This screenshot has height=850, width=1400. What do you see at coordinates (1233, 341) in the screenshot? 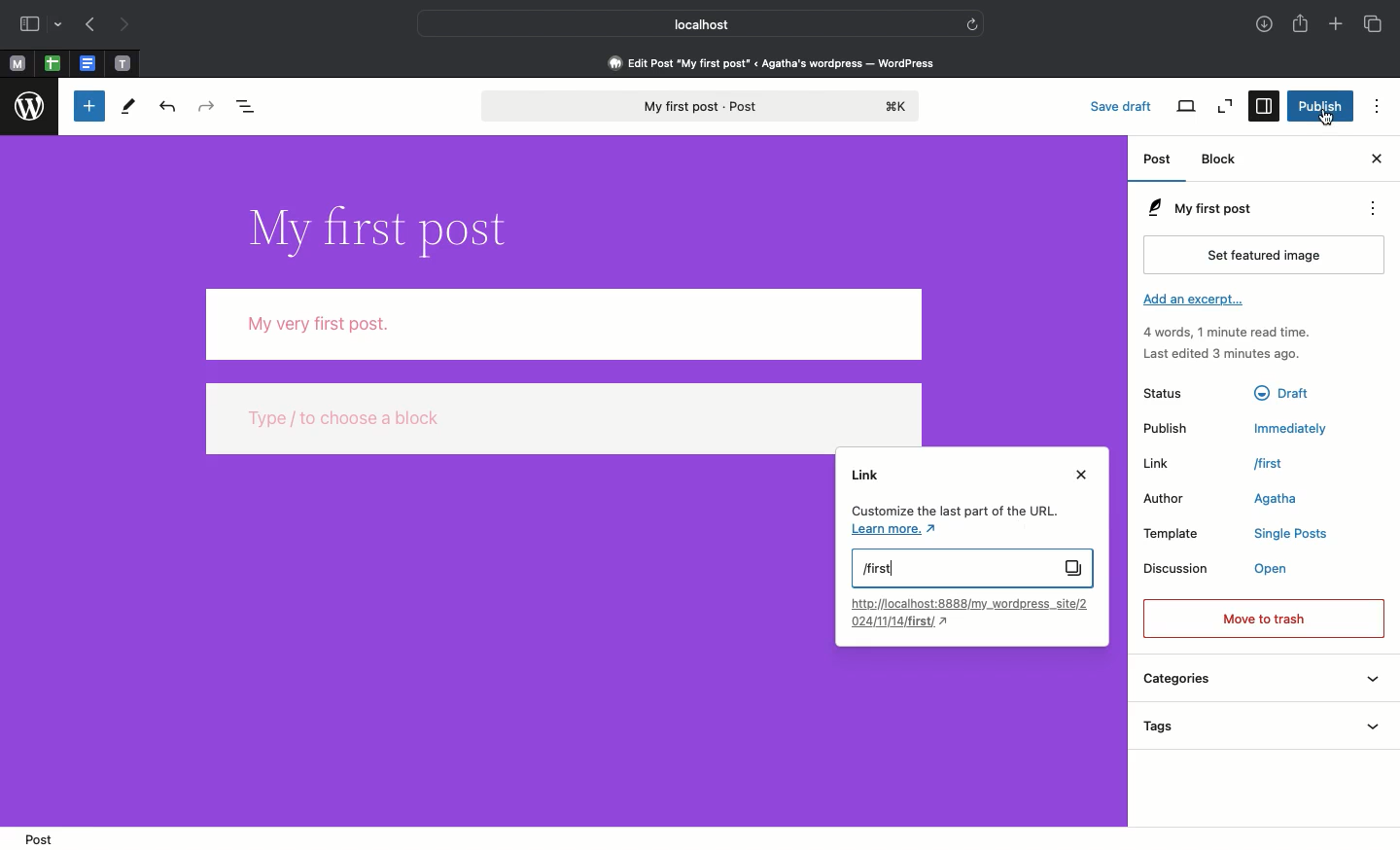
I see `Activity` at bounding box center [1233, 341].